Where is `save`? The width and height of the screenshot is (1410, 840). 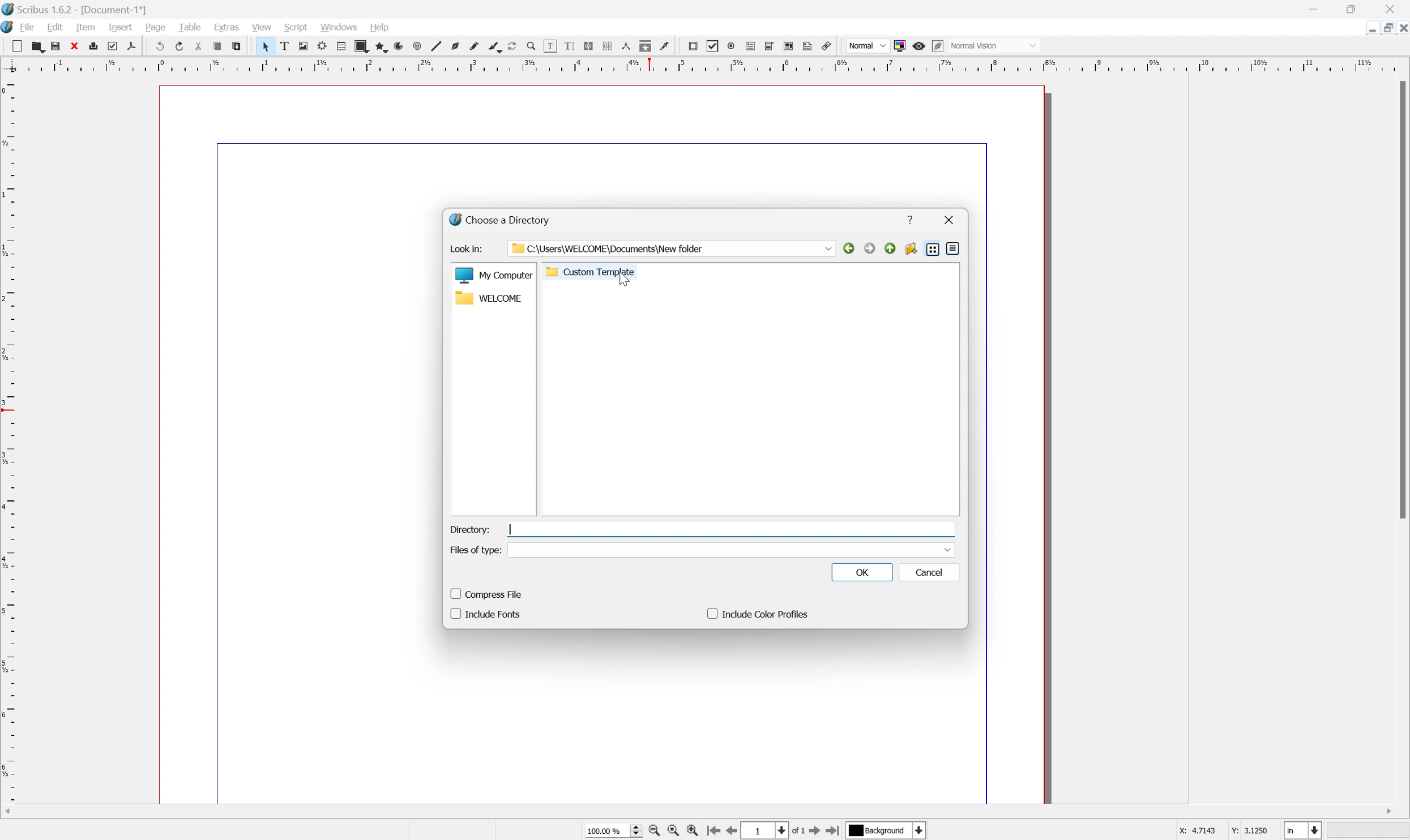
save is located at coordinates (55, 44).